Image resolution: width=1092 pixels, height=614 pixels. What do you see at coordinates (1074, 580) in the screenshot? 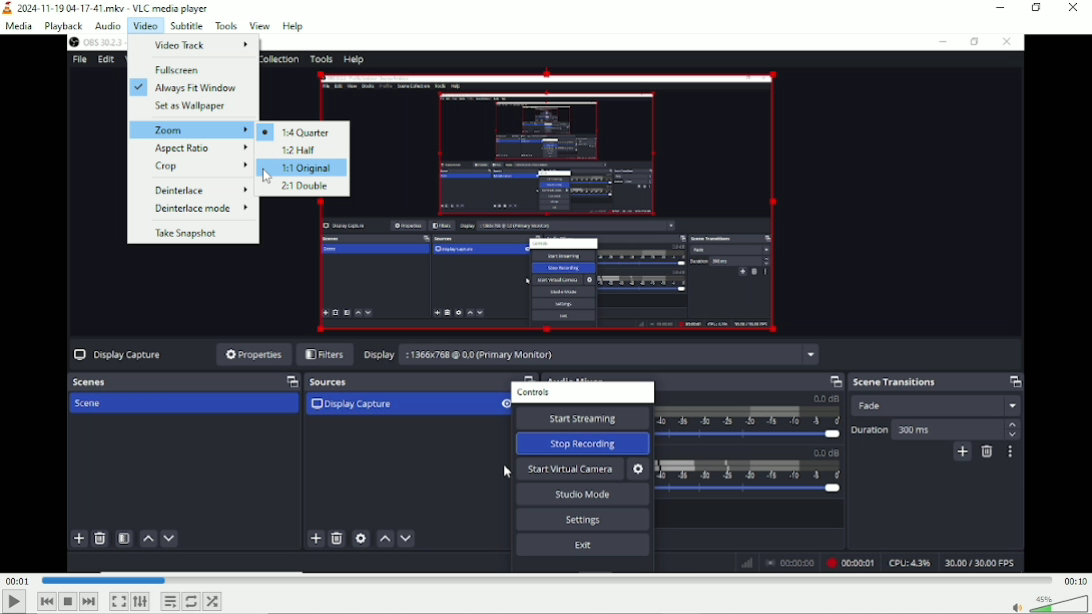
I see `Total duration` at bounding box center [1074, 580].